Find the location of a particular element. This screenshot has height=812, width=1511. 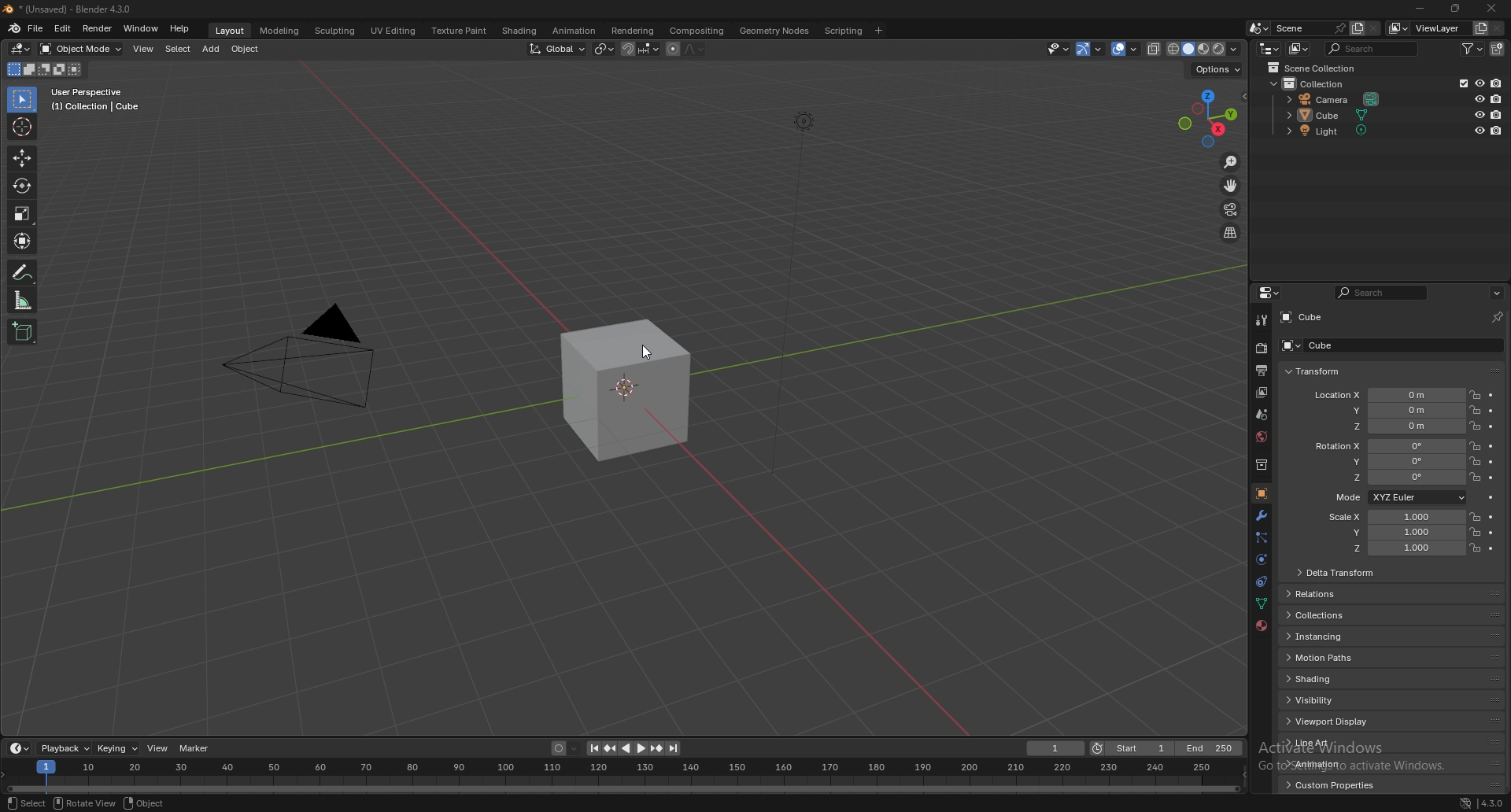

disable in render is located at coordinates (1498, 98).